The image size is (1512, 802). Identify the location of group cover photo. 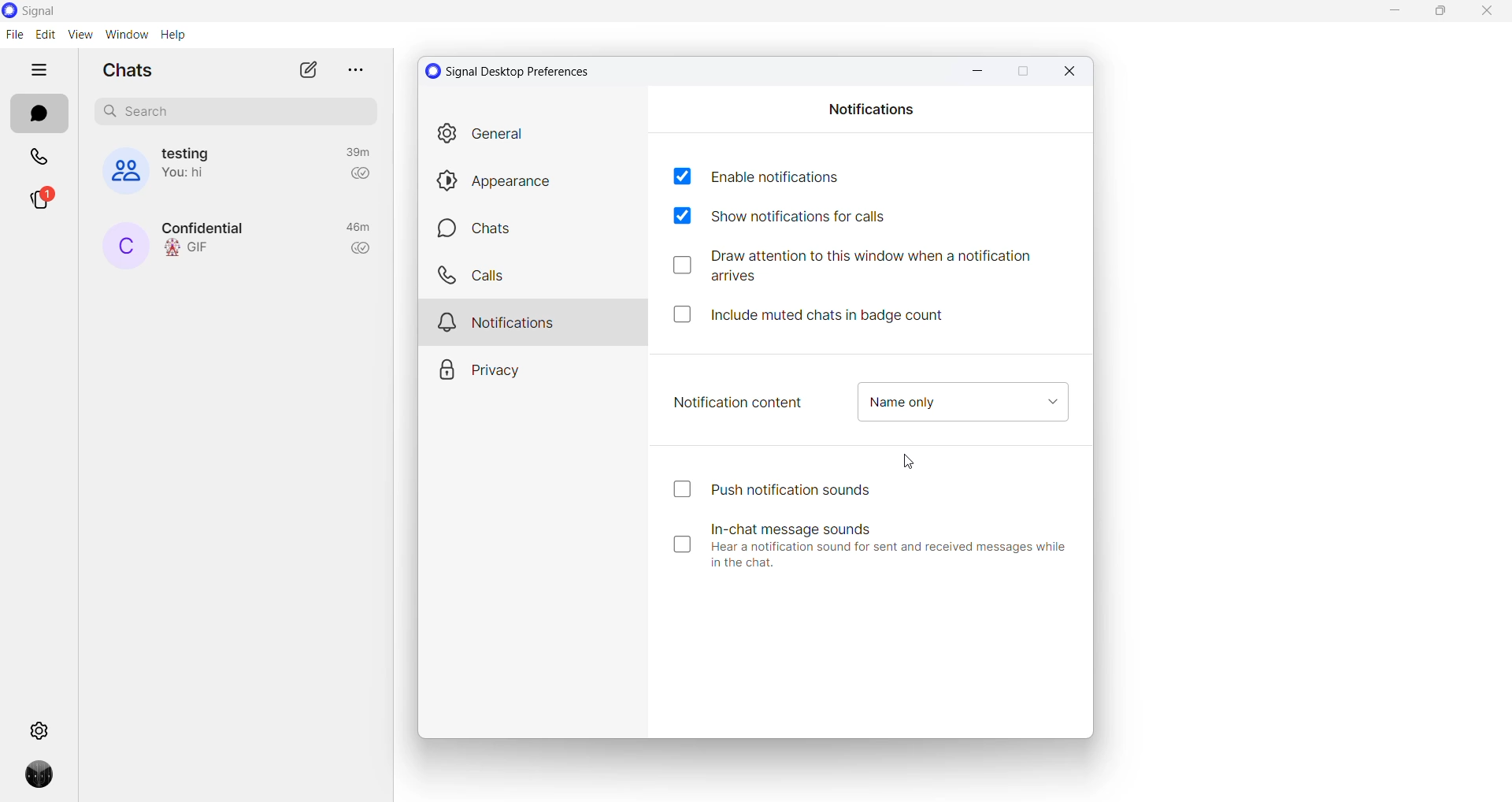
(117, 171).